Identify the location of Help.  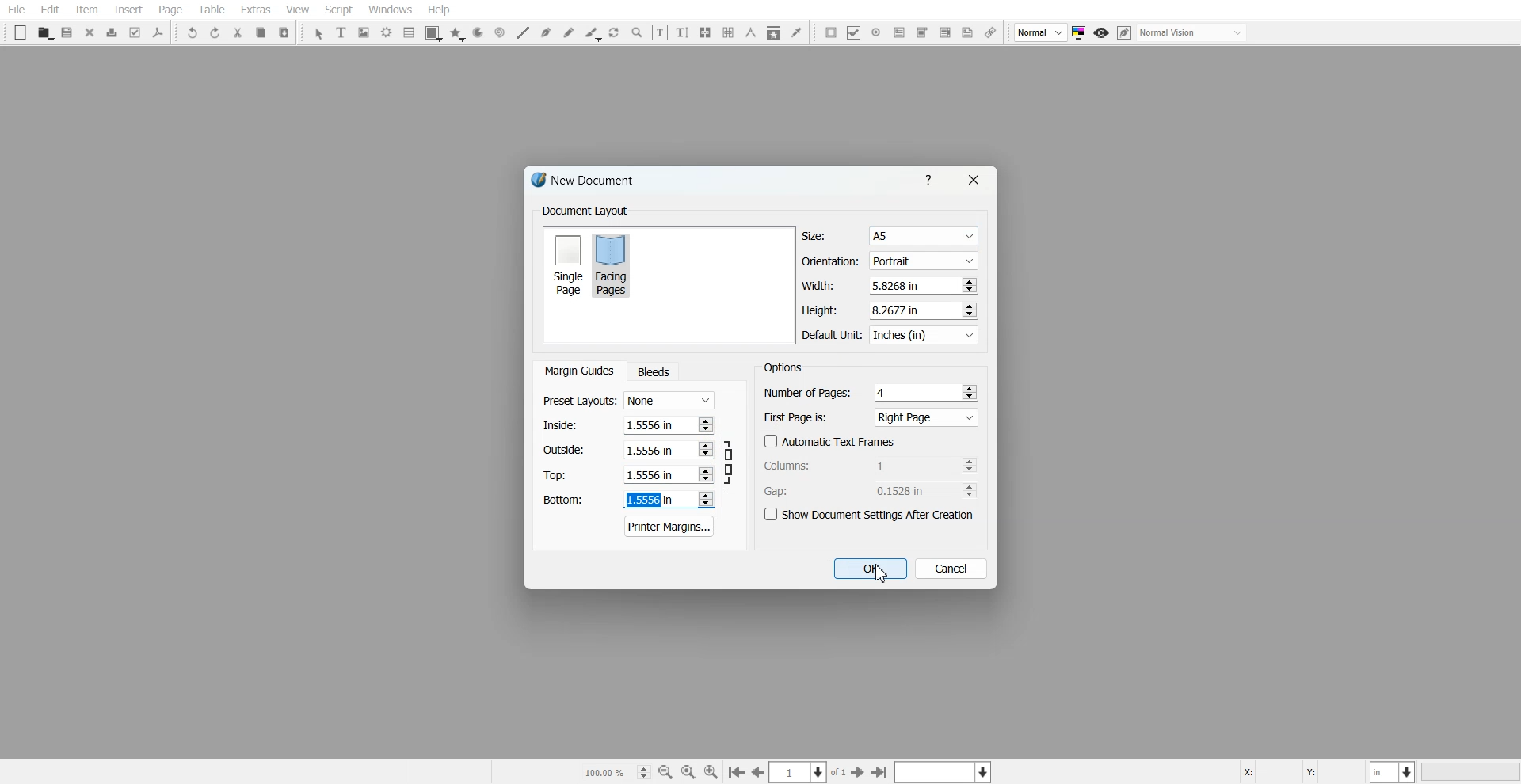
(932, 179).